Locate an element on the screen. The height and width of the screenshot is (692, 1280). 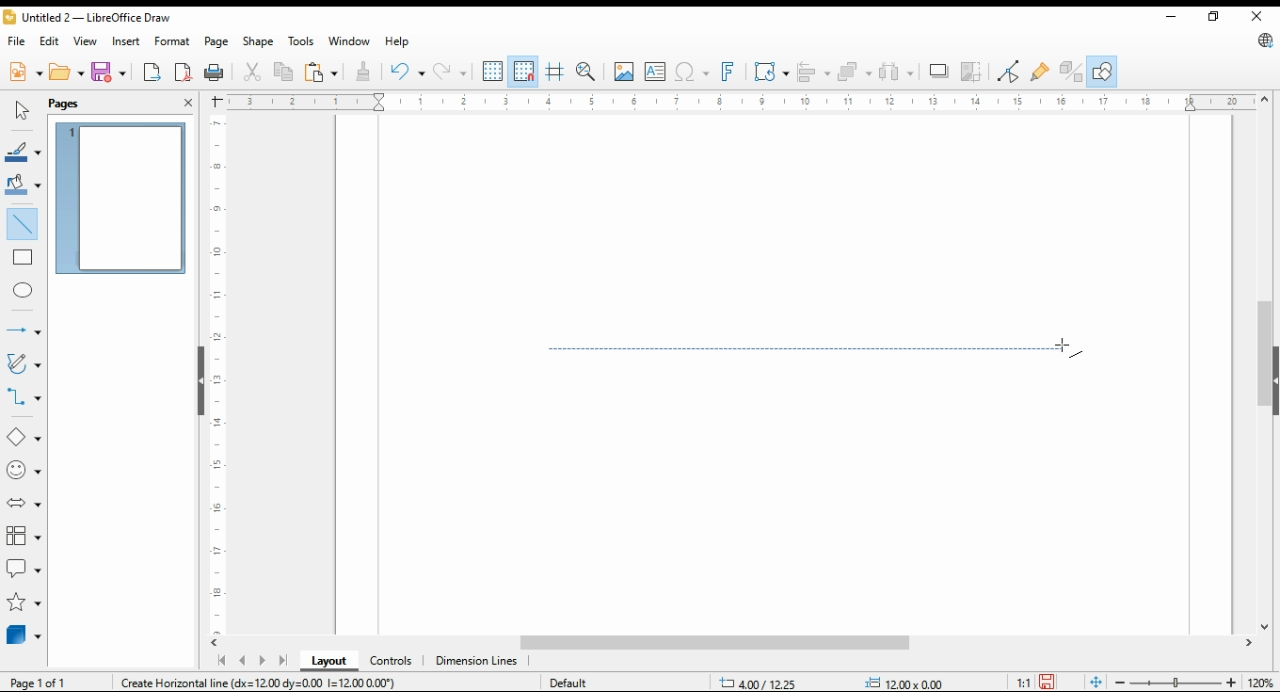
ellipse is located at coordinates (24, 291).